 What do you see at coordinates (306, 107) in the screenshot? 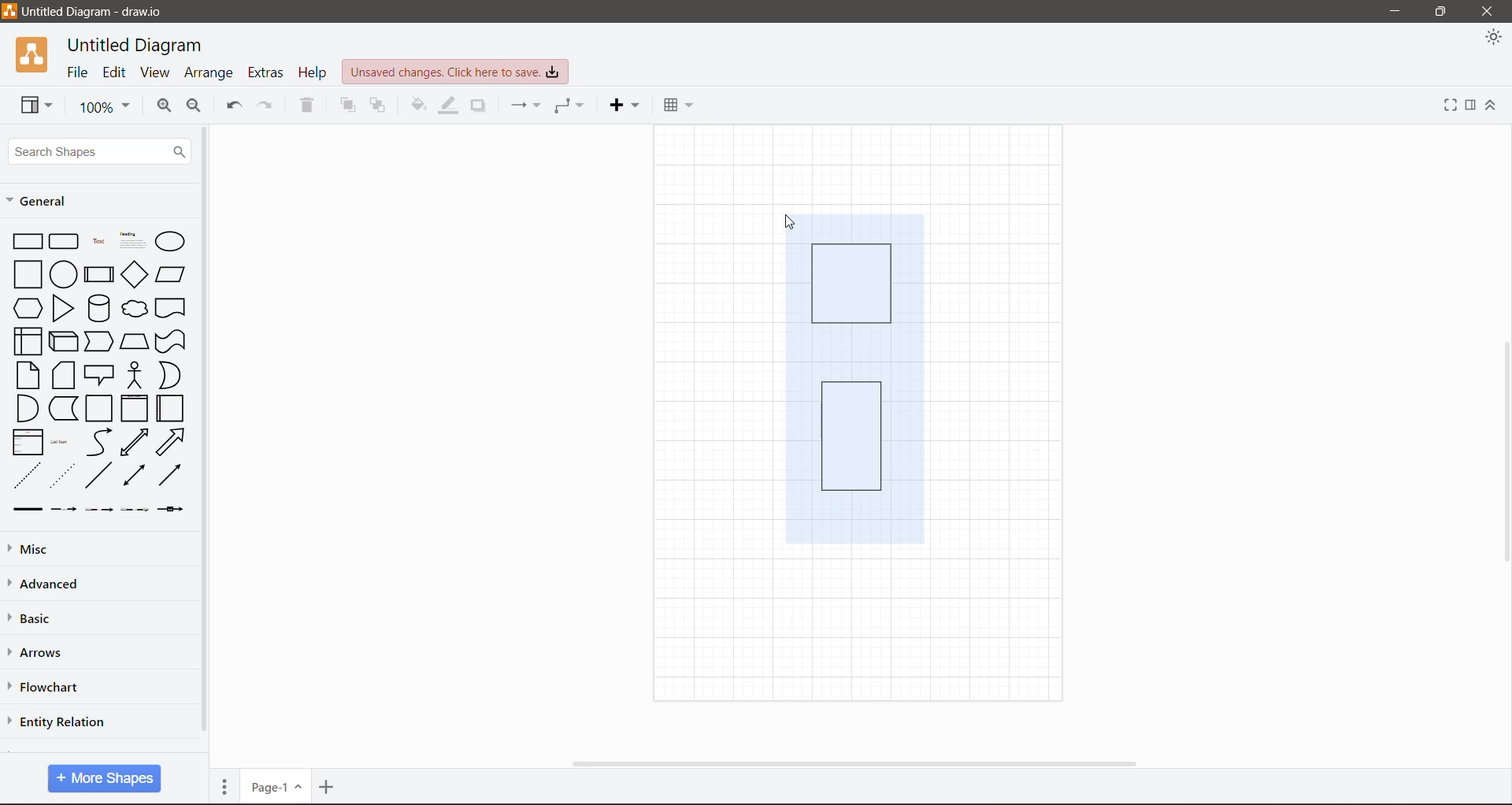
I see `Delete` at bounding box center [306, 107].